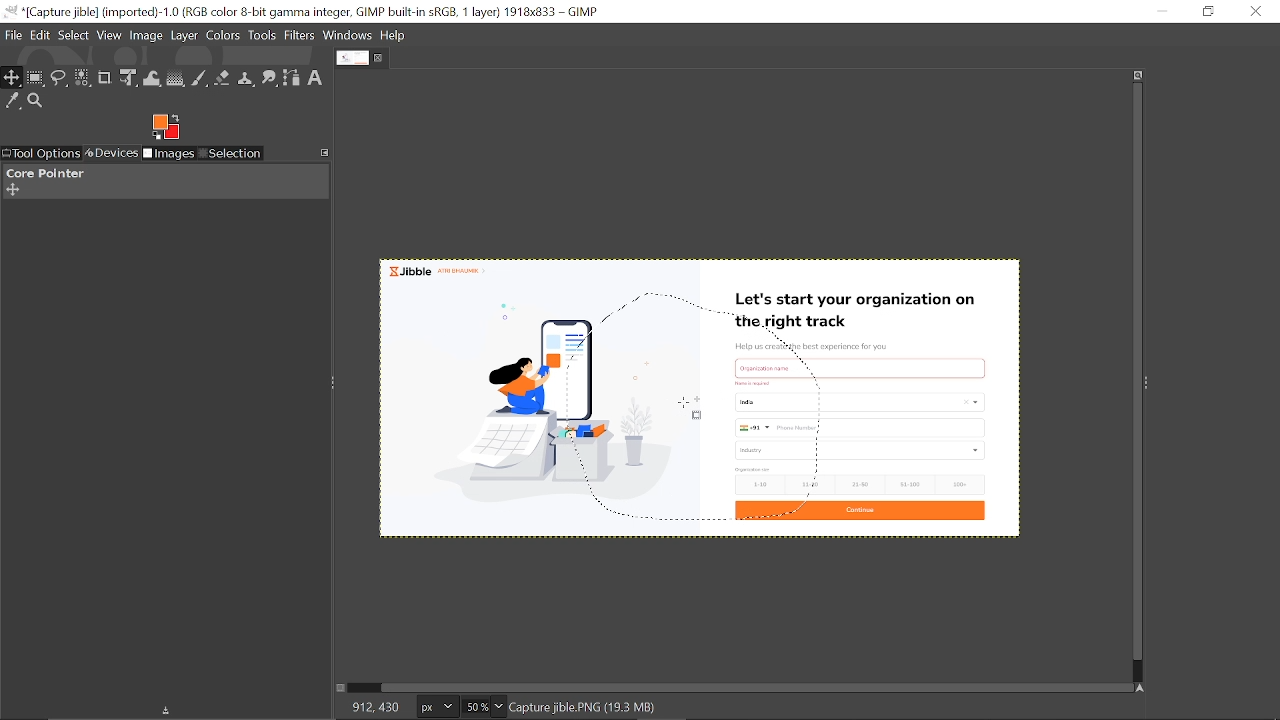 This screenshot has width=1280, height=720. Describe the element at coordinates (165, 125) in the screenshot. I see `expand` at that location.